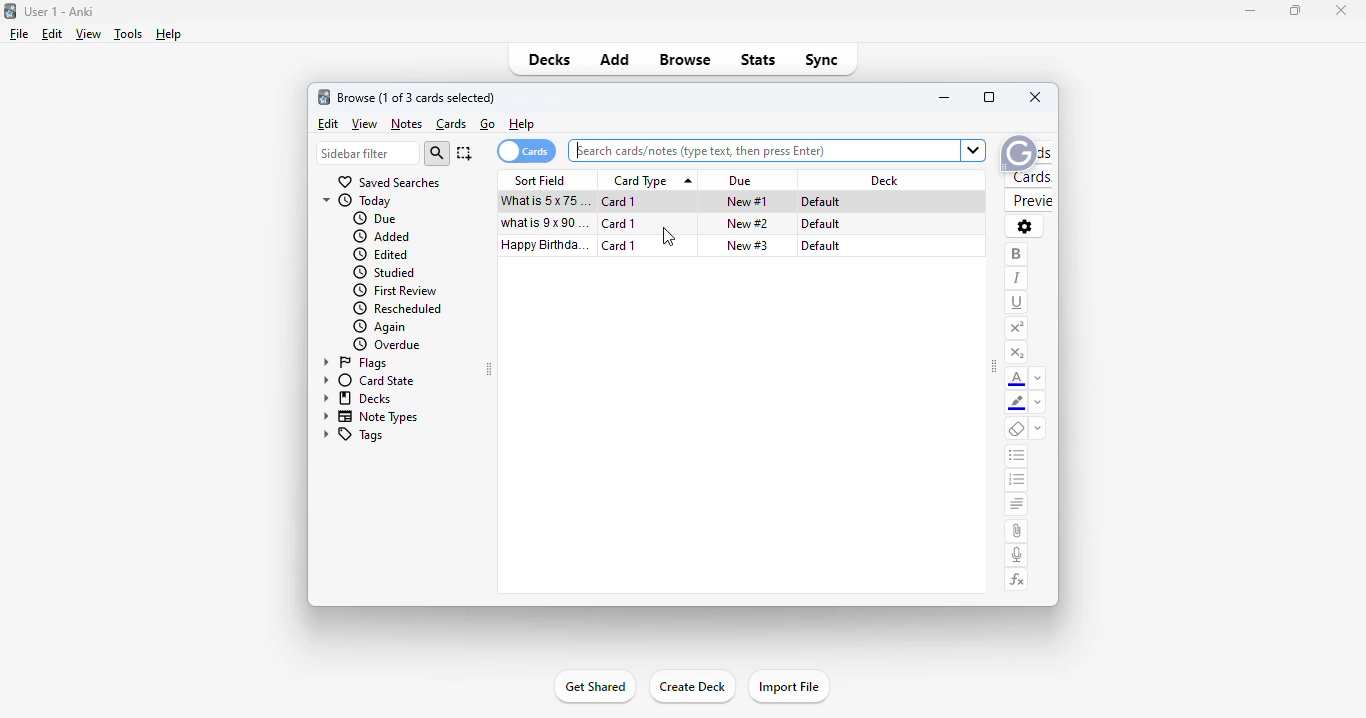 The height and width of the screenshot is (718, 1366). Describe the element at coordinates (548, 200) in the screenshot. I see `what is 5x75=?` at that location.